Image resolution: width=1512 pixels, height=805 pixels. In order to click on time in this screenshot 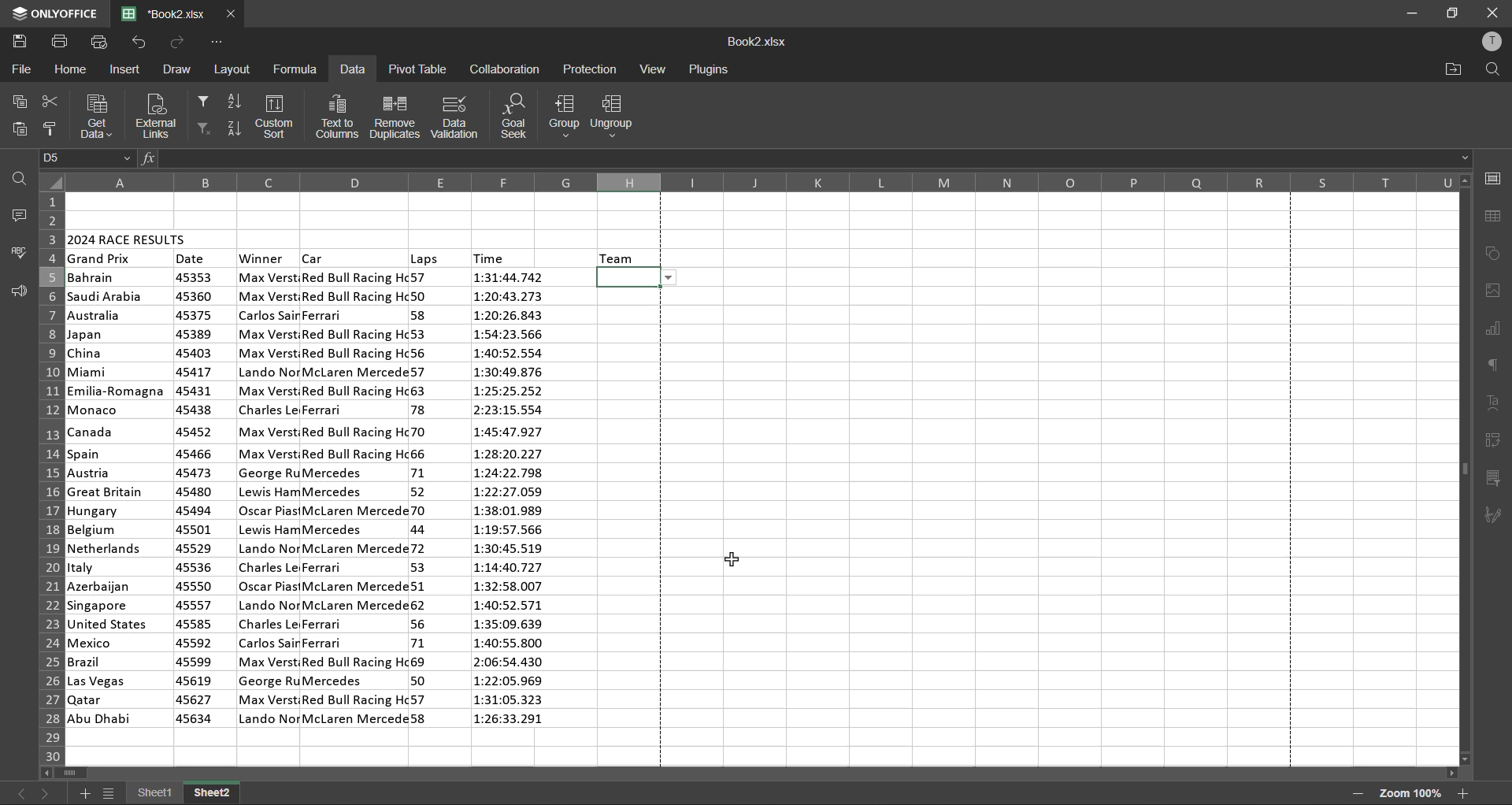, I will do `click(513, 501)`.